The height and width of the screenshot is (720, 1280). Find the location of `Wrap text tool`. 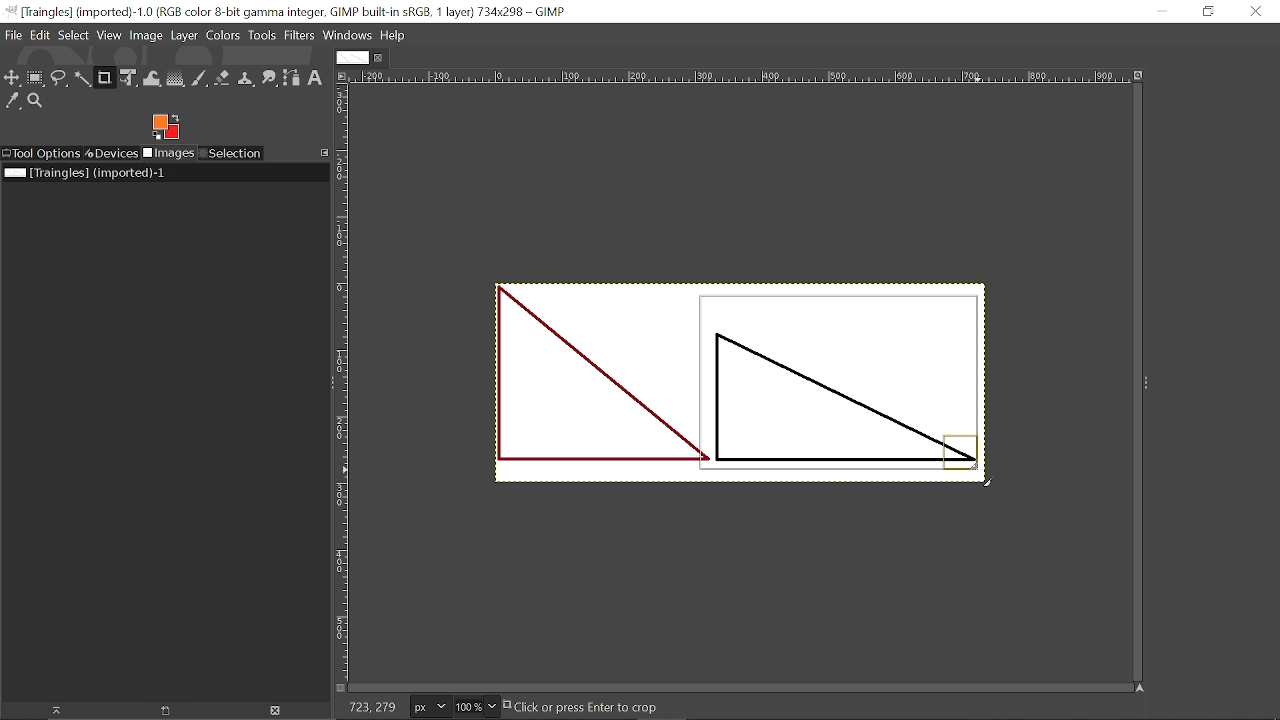

Wrap text tool is located at coordinates (153, 78).